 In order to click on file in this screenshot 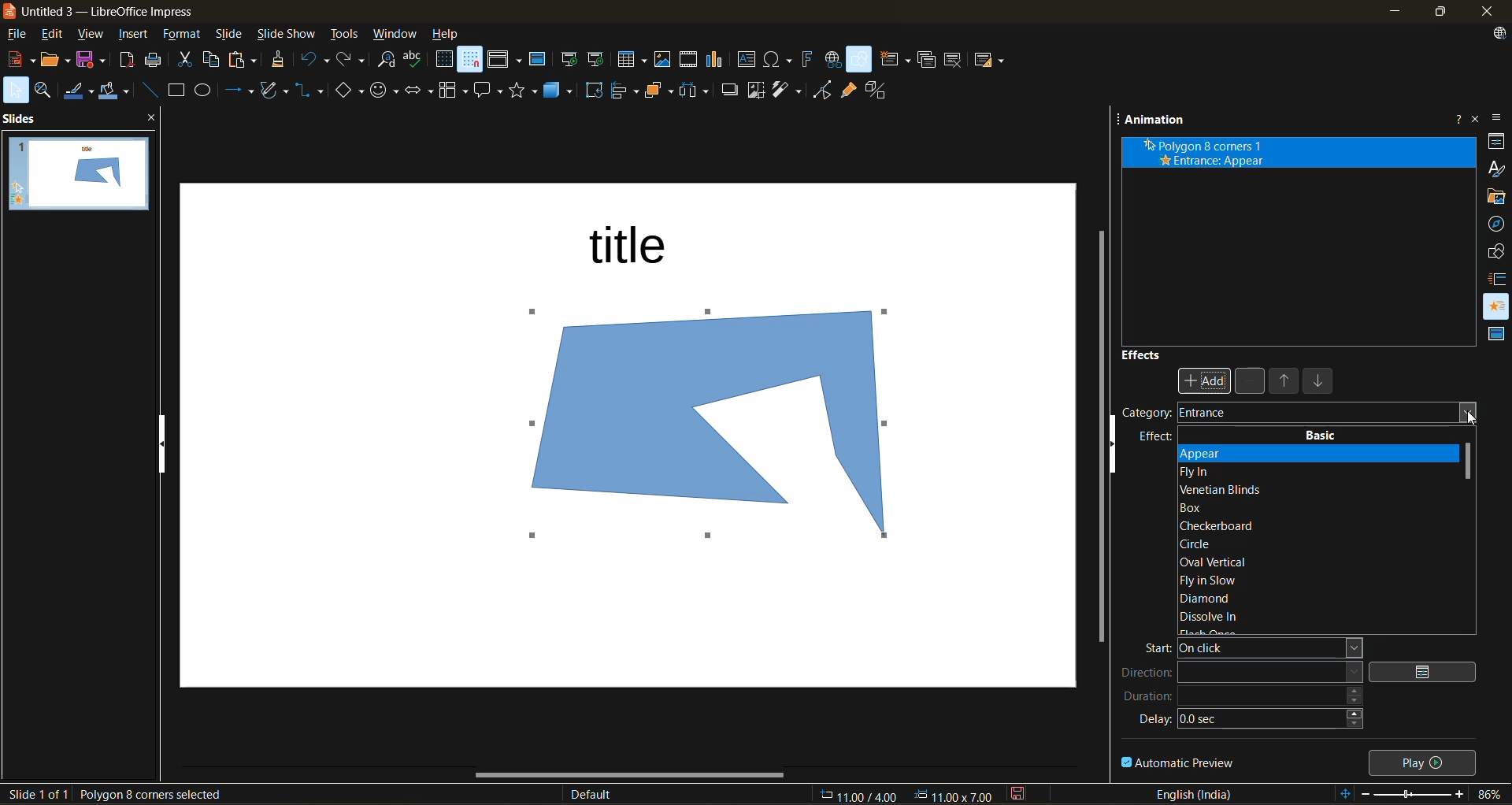, I will do `click(16, 32)`.